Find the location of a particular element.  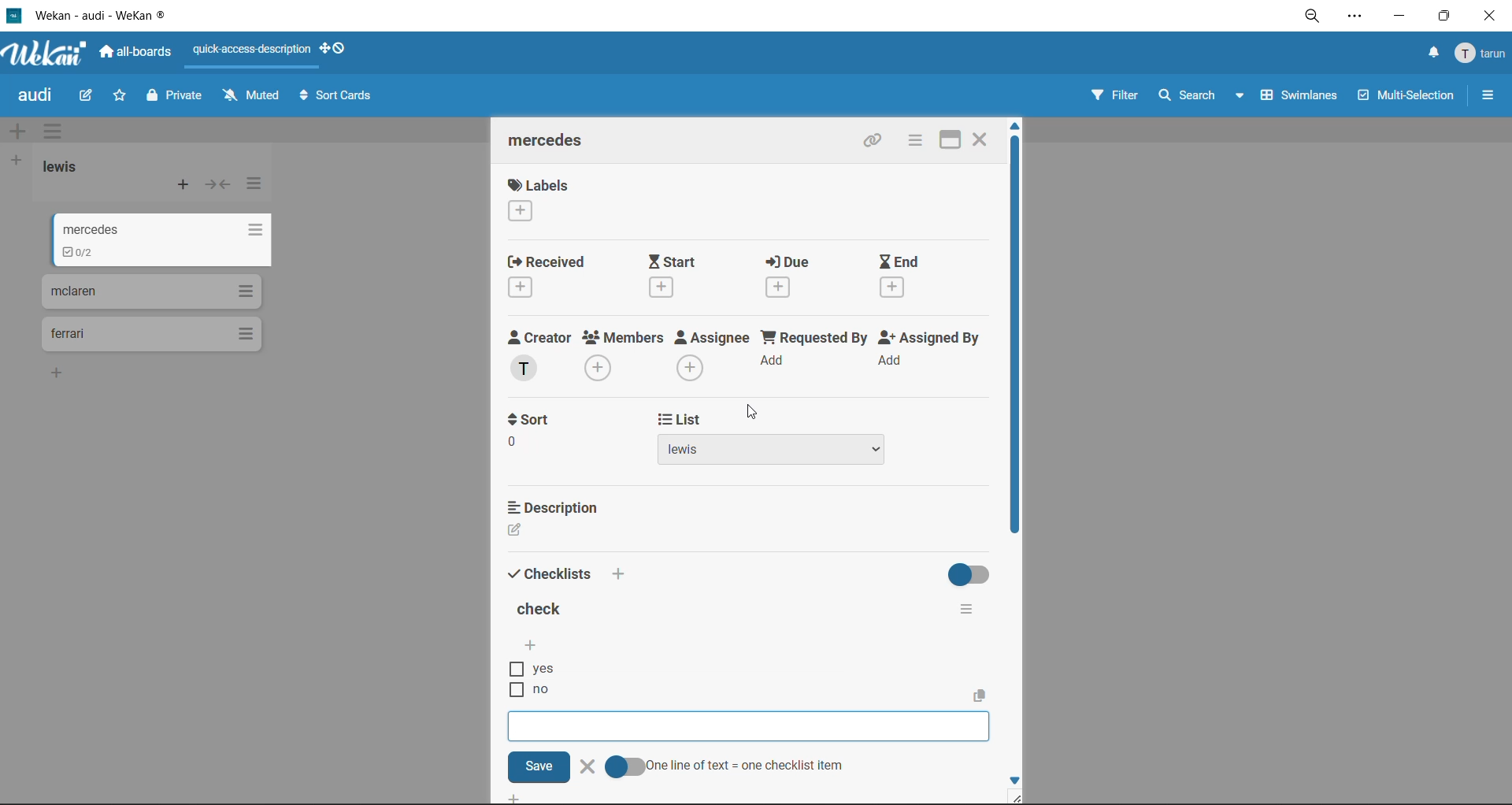

collapse is located at coordinates (220, 188).